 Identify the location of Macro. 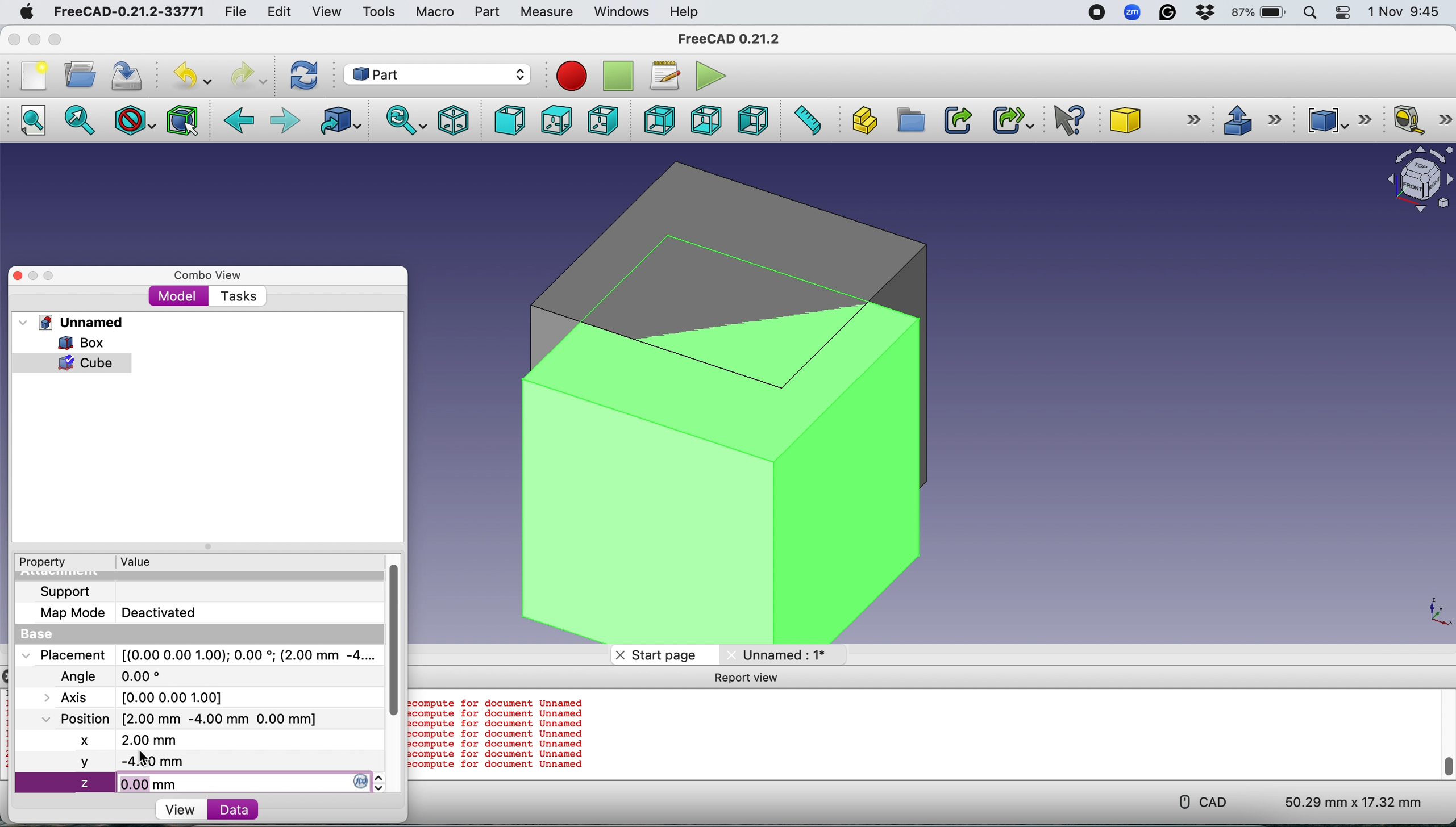
(435, 13).